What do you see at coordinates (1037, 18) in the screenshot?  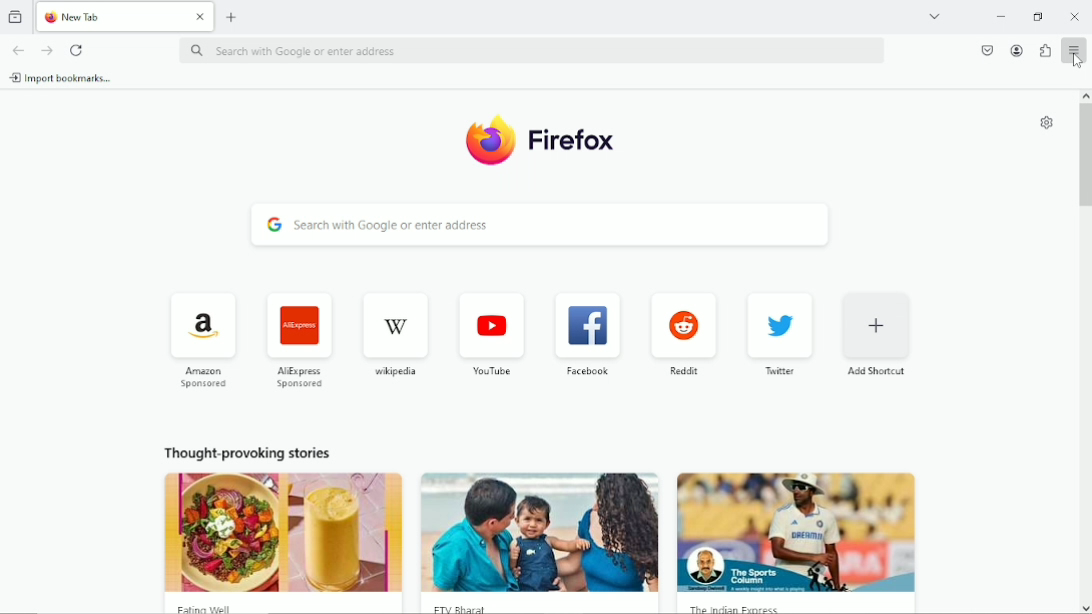 I see `restore down` at bounding box center [1037, 18].